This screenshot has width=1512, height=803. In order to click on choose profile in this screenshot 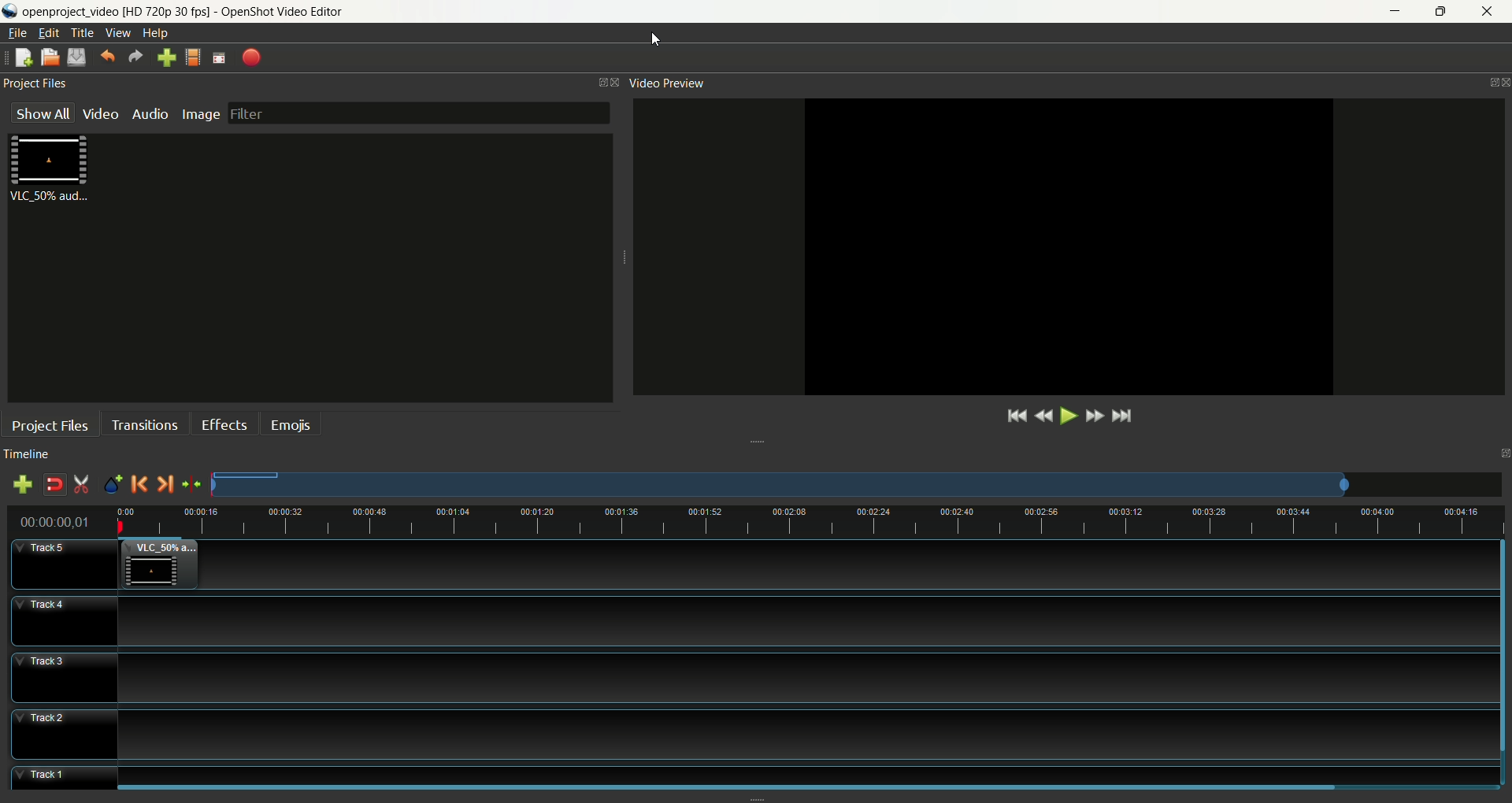, I will do `click(191, 57)`.